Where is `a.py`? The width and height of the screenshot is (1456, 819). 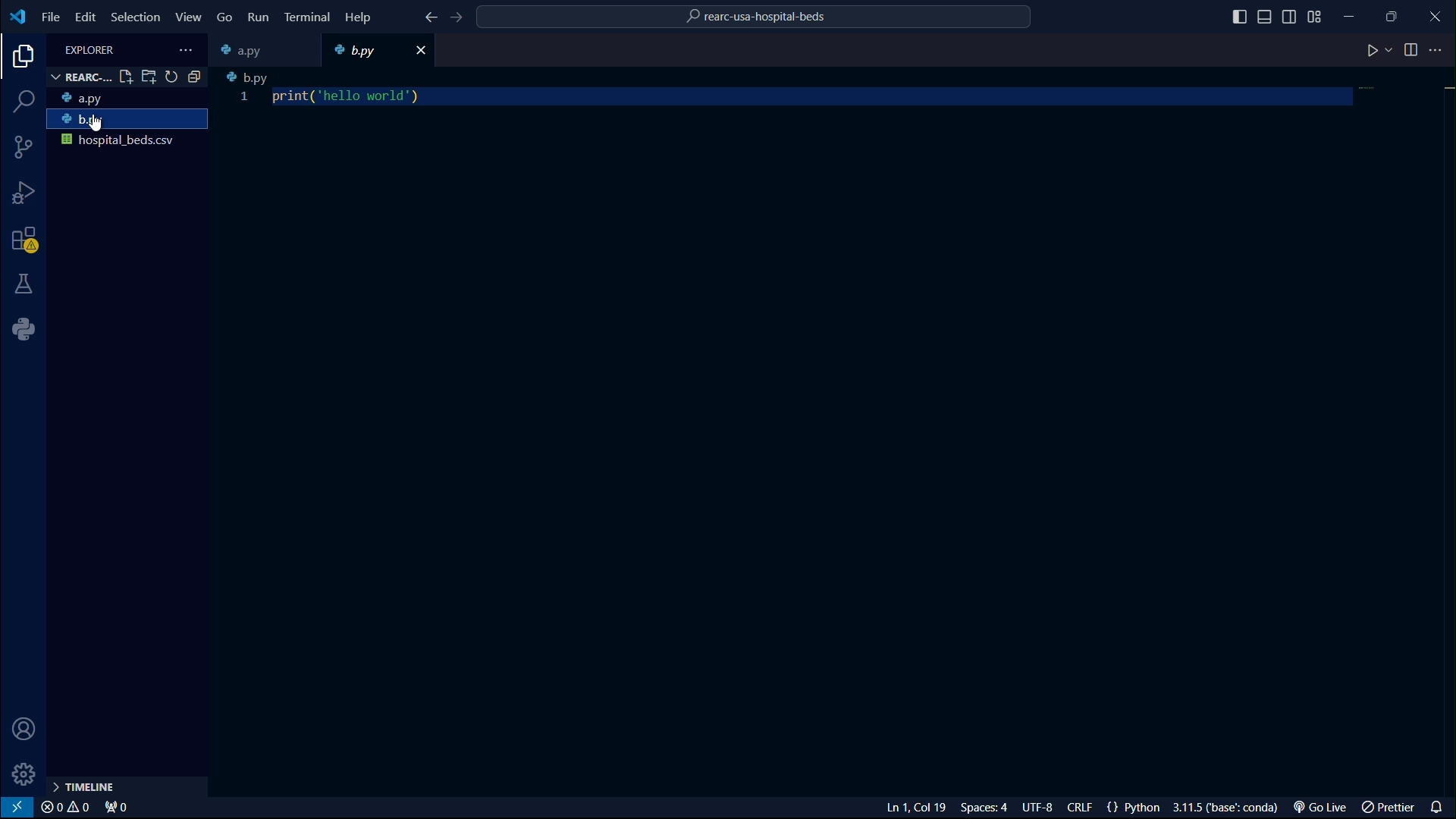 a.py is located at coordinates (127, 99).